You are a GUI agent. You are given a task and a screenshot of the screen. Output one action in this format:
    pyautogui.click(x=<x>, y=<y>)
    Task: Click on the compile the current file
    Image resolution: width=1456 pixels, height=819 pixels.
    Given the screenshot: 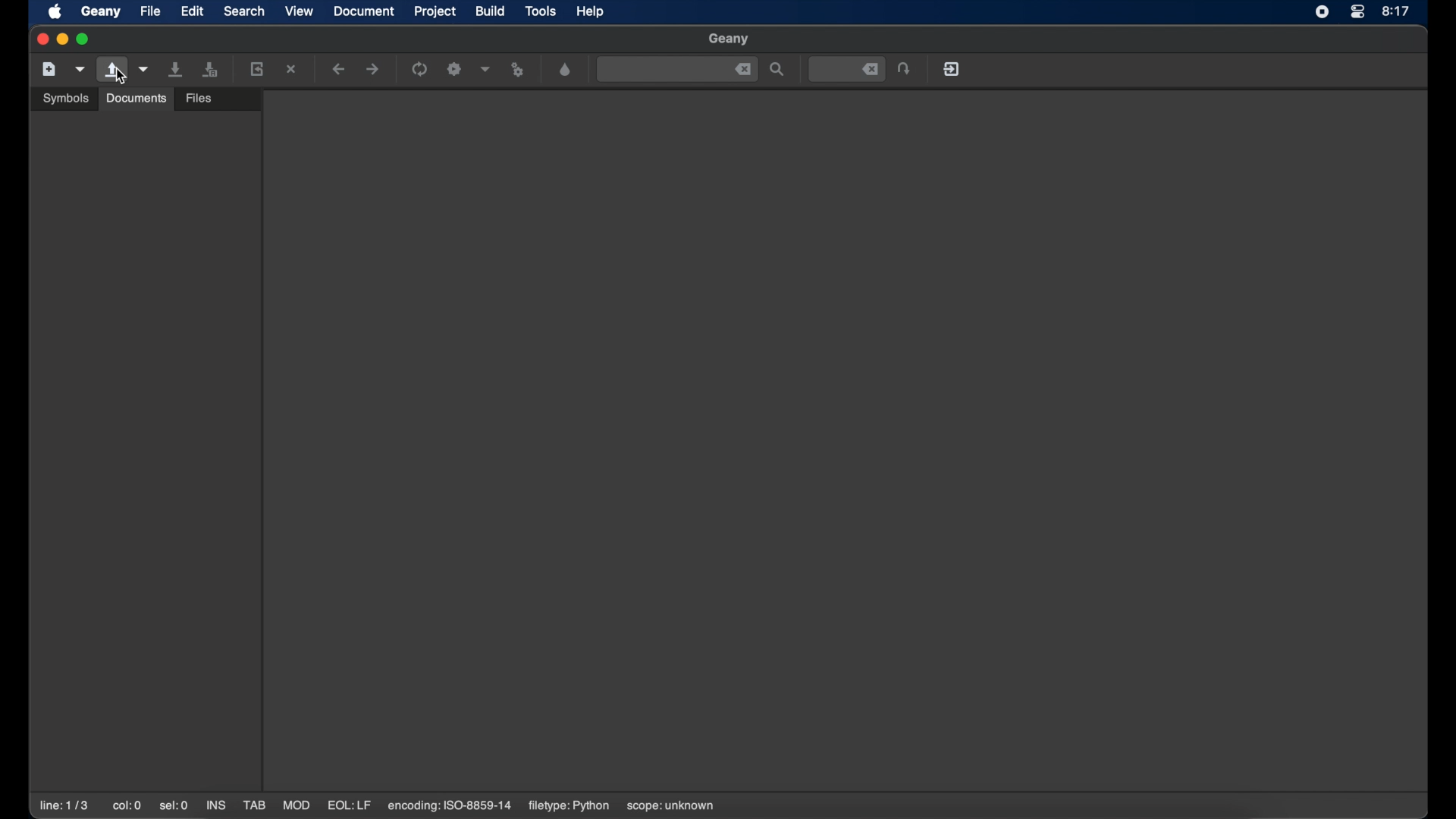 What is the action you would take?
    pyautogui.click(x=419, y=69)
    